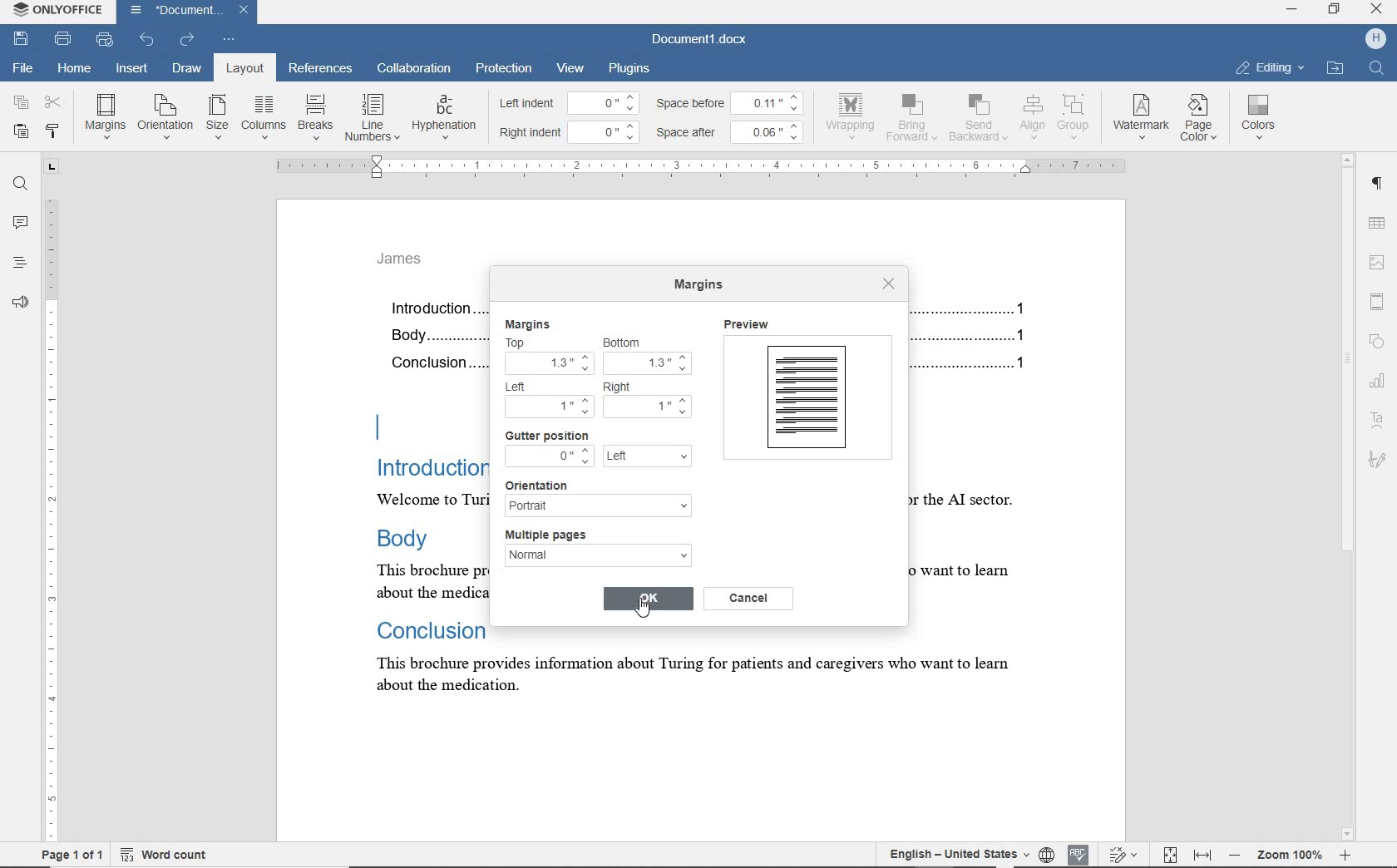 This screenshot has height=868, width=1397. Describe the element at coordinates (526, 105) in the screenshot. I see `left indent` at that location.